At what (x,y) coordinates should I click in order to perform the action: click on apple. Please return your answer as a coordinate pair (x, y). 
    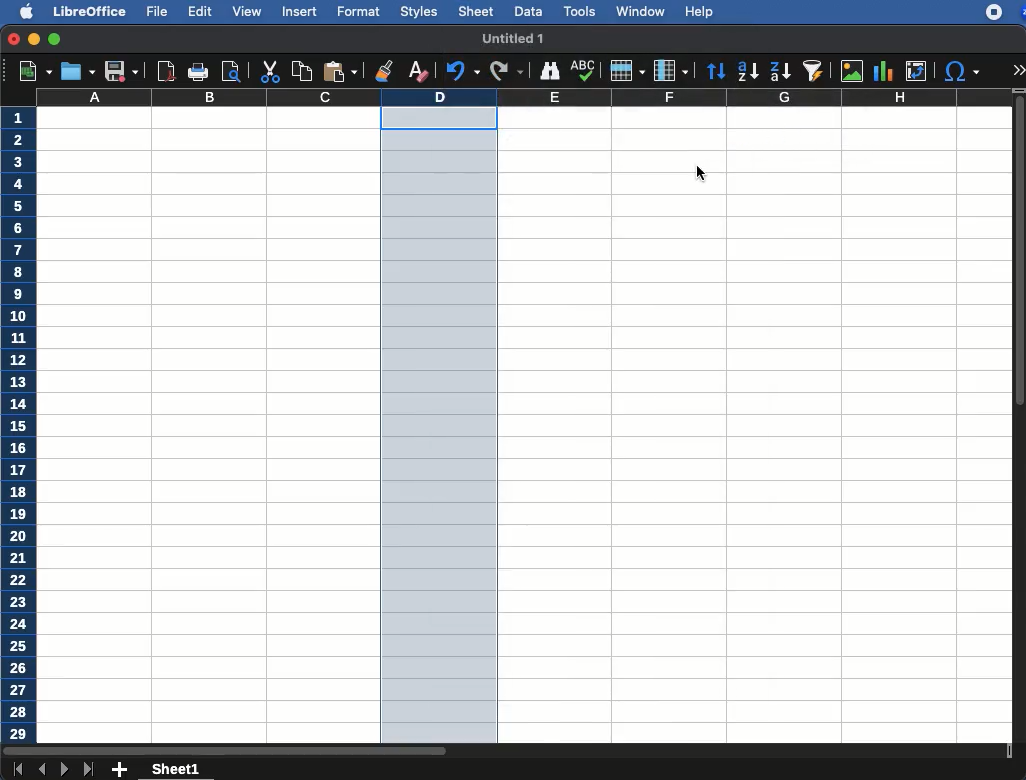
    Looking at the image, I should click on (20, 12).